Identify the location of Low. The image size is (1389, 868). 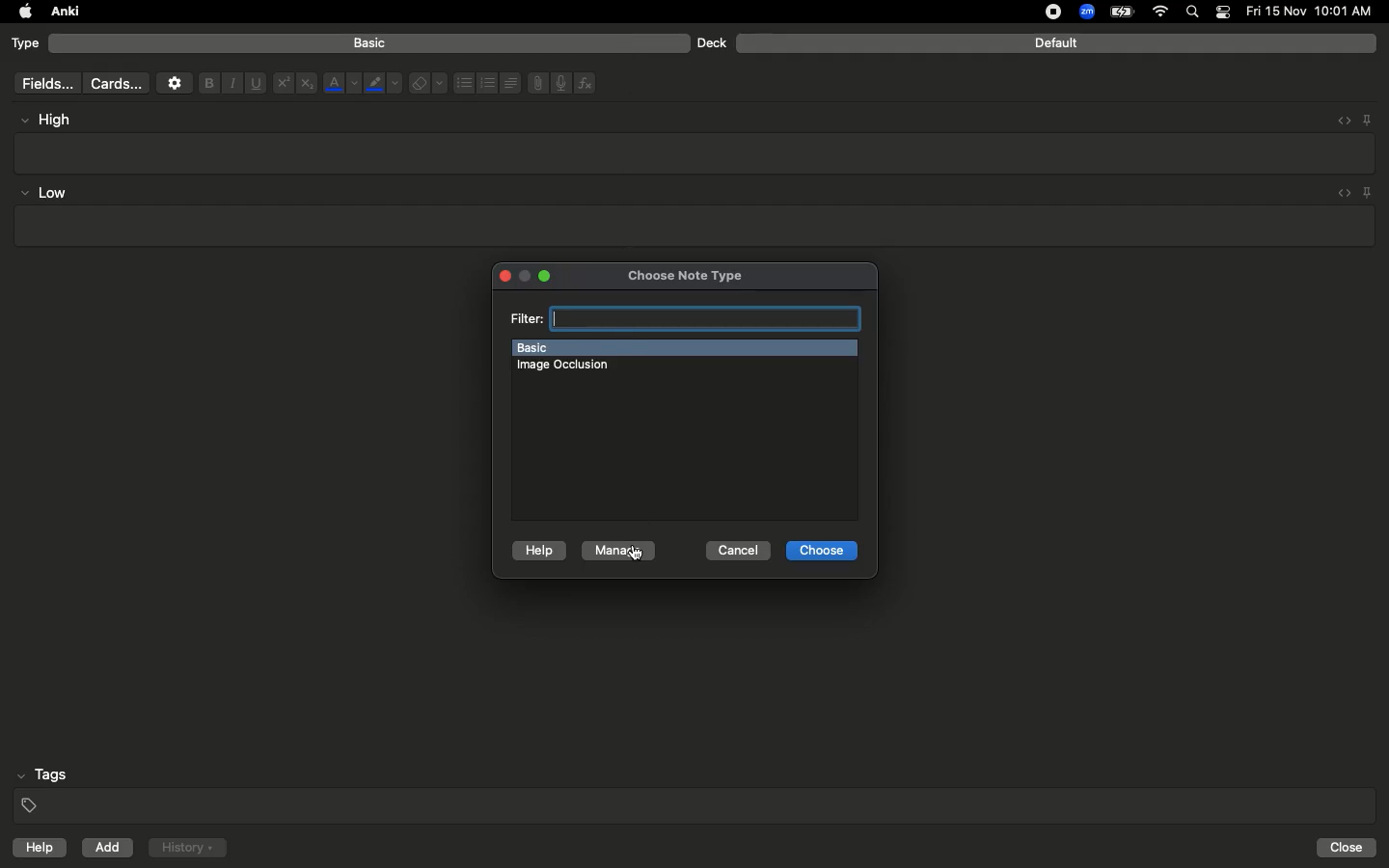
(44, 194).